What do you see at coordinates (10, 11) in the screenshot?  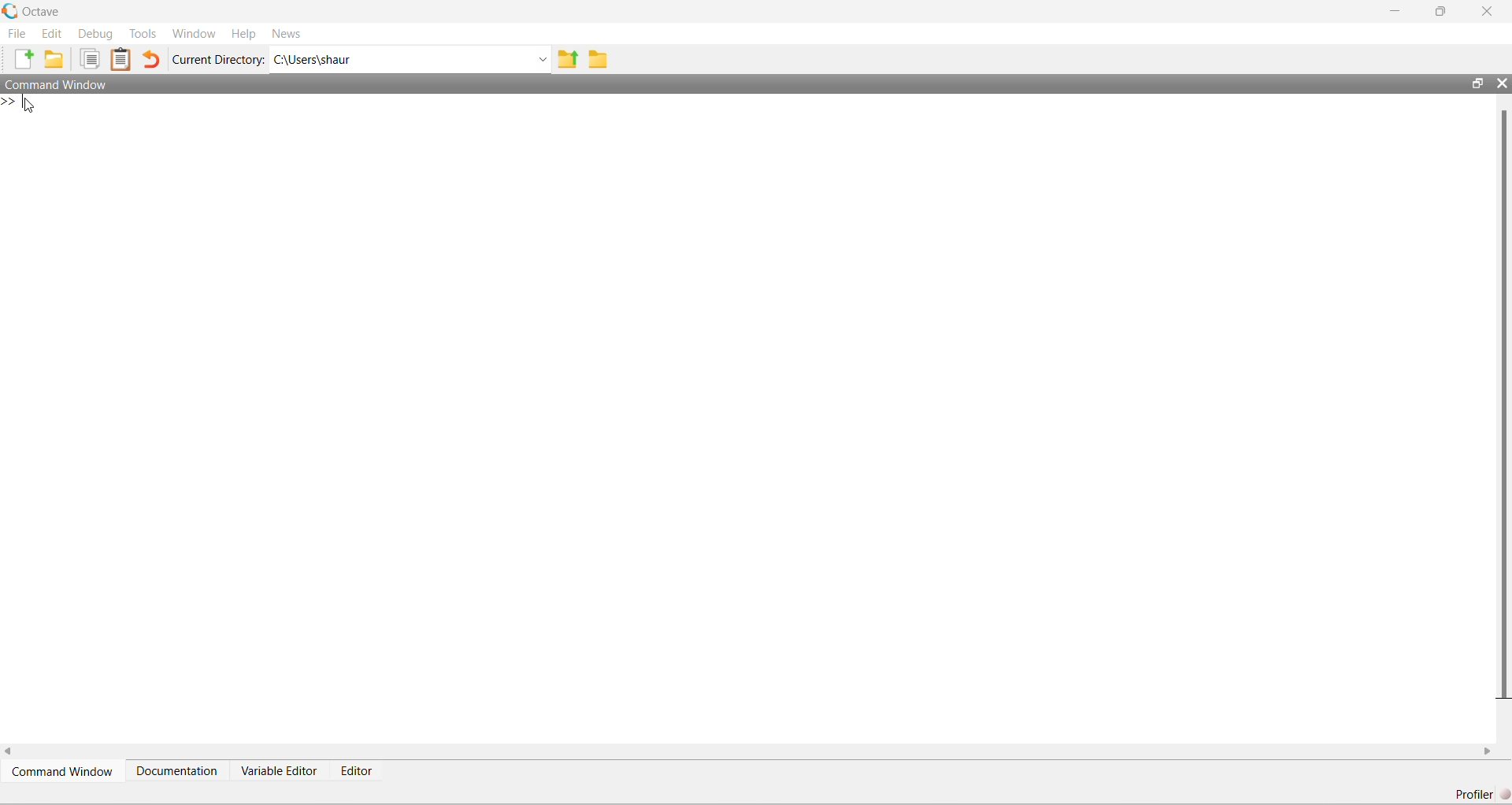 I see `Octave logo` at bounding box center [10, 11].